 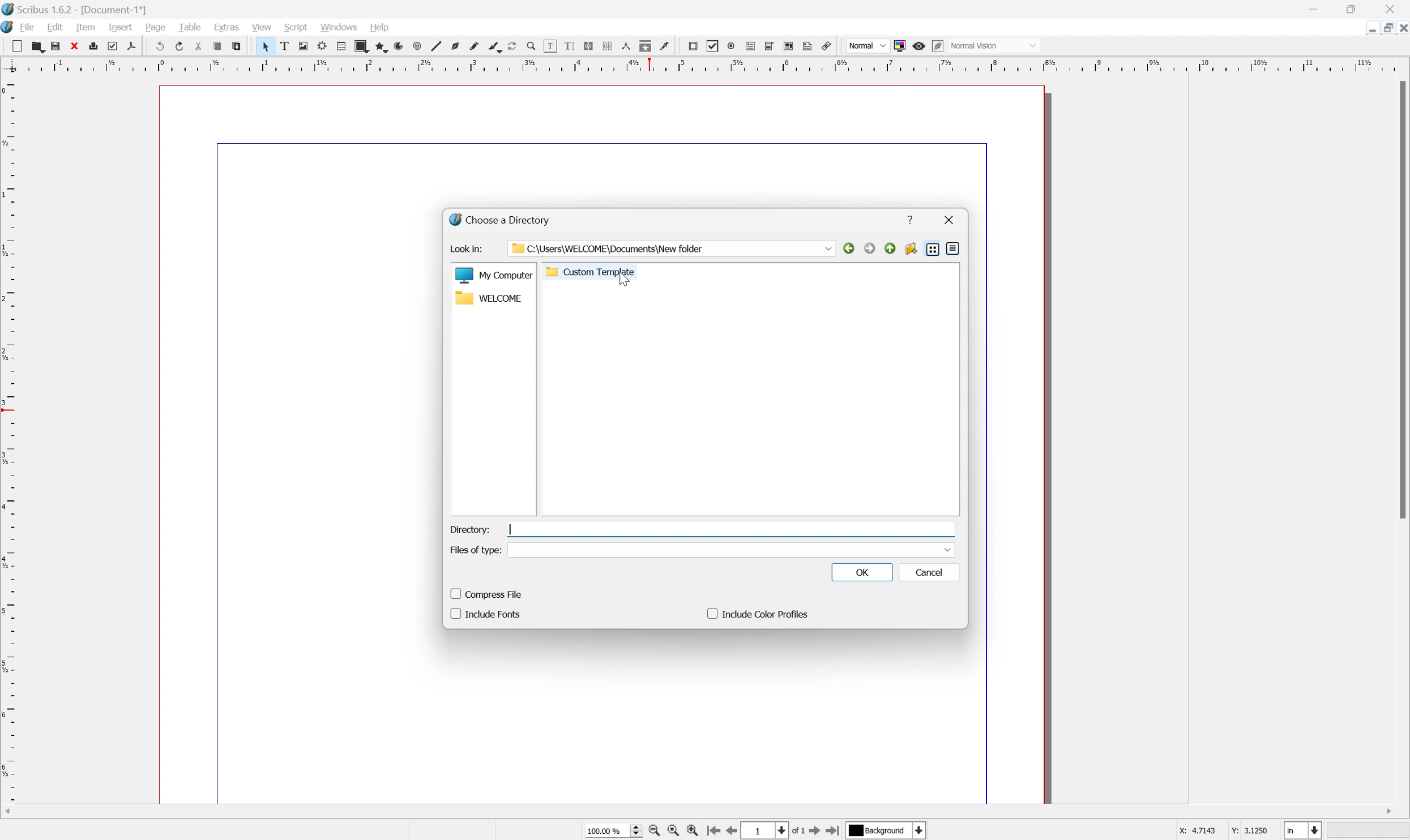 What do you see at coordinates (834, 832) in the screenshot?
I see `Go to last page` at bounding box center [834, 832].